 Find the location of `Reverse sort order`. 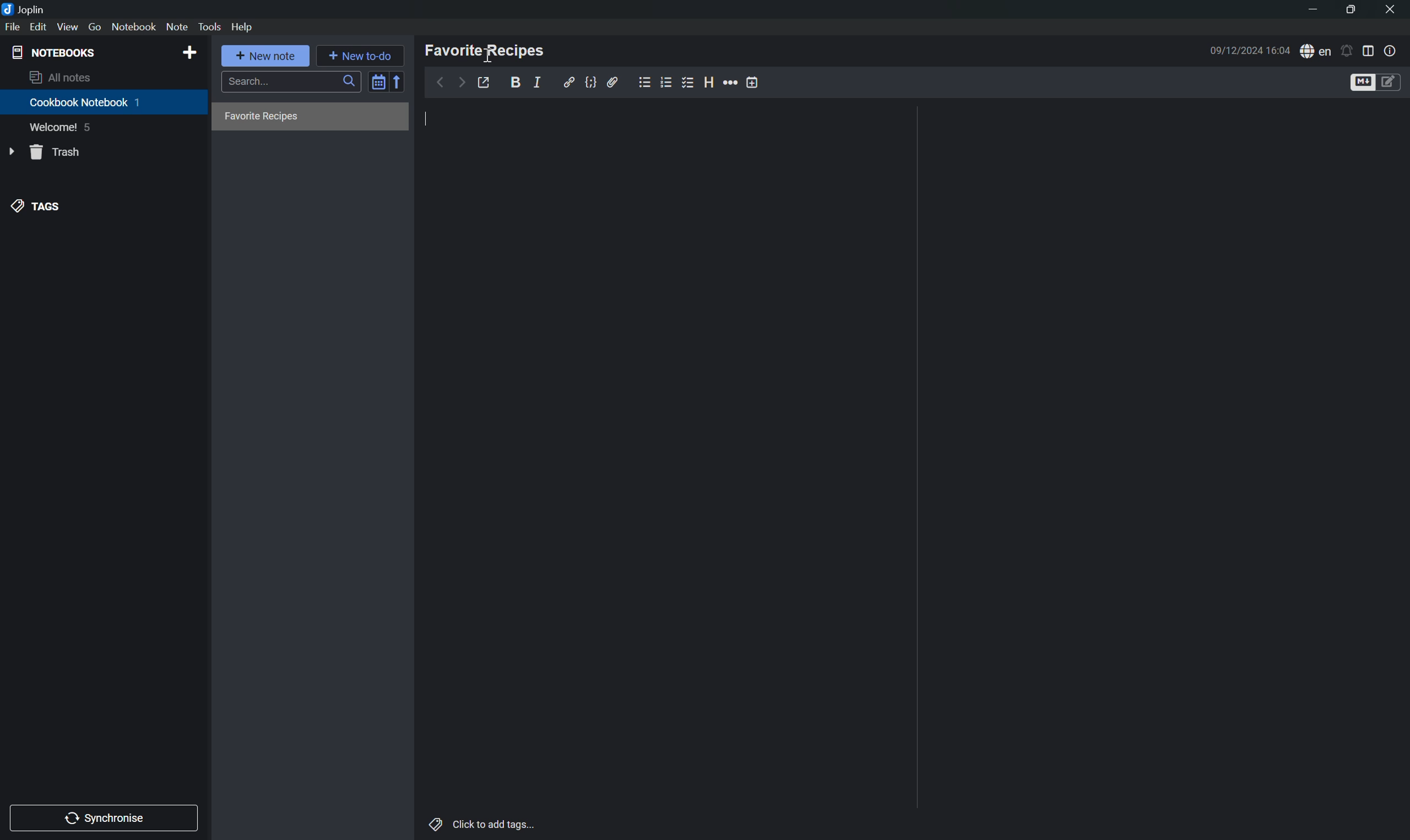

Reverse sort order is located at coordinates (397, 82).